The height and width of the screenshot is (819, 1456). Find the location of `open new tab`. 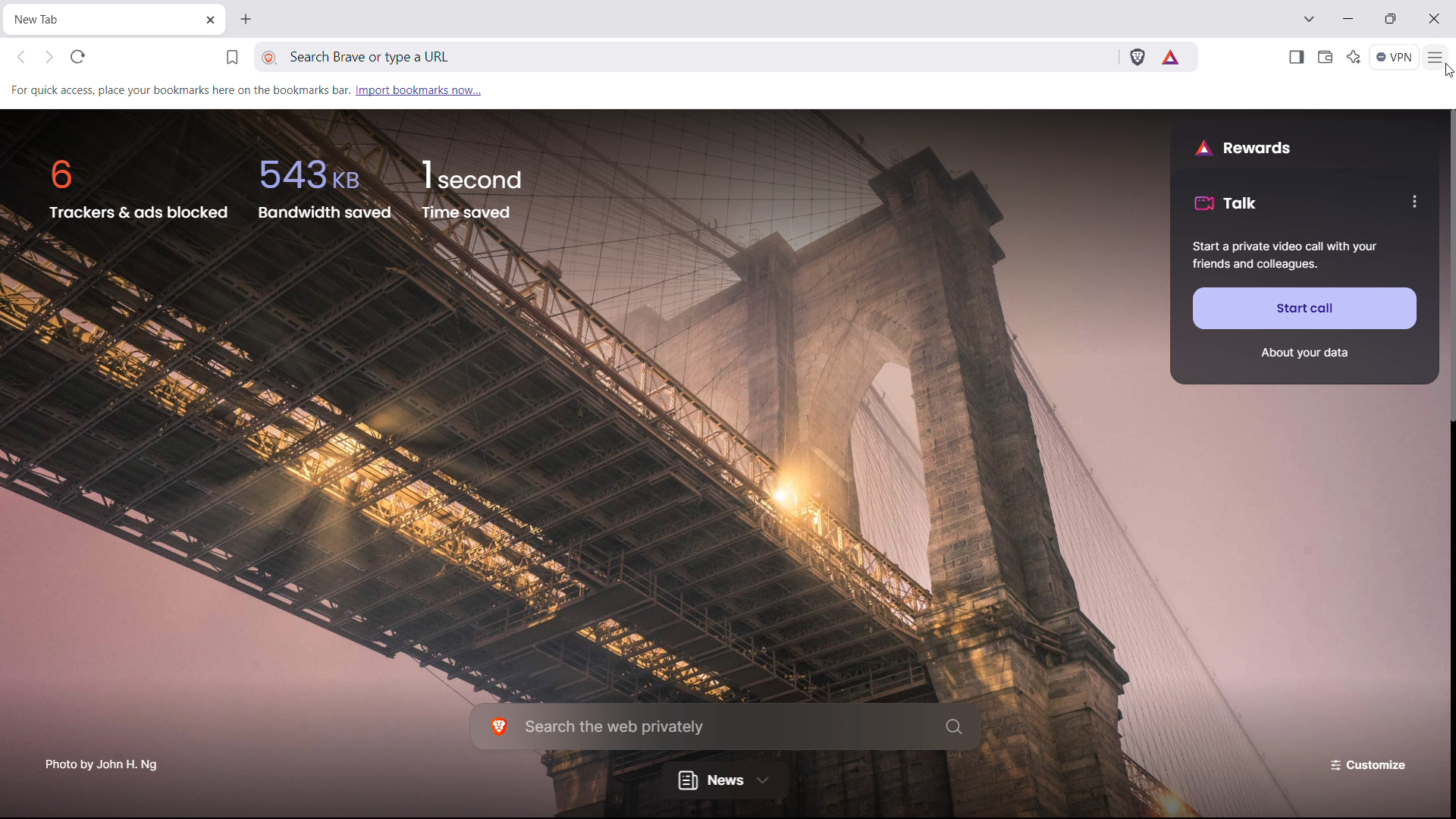

open new tab is located at coordinates (246, 20).